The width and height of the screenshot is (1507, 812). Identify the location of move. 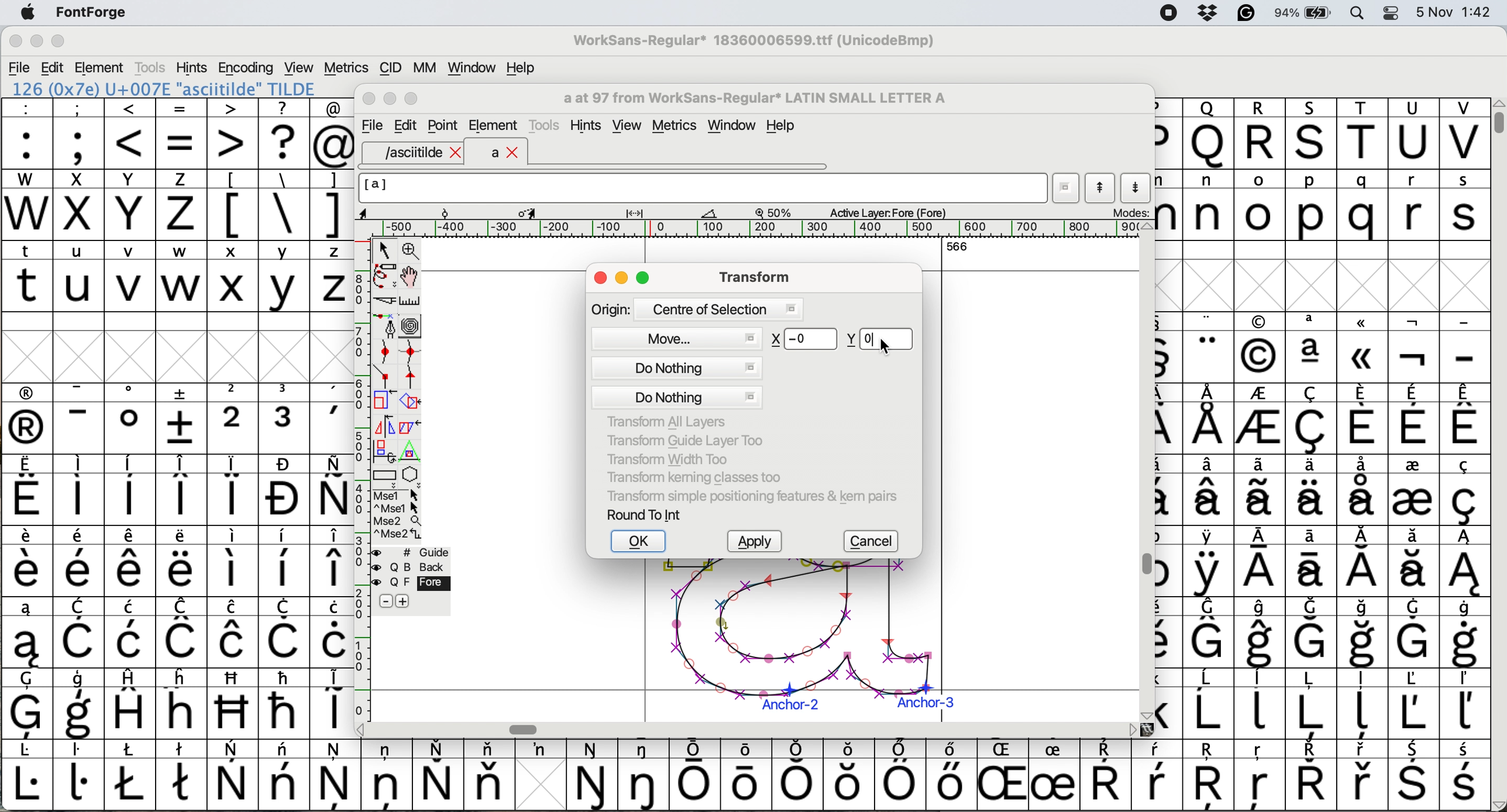
(677, 337).